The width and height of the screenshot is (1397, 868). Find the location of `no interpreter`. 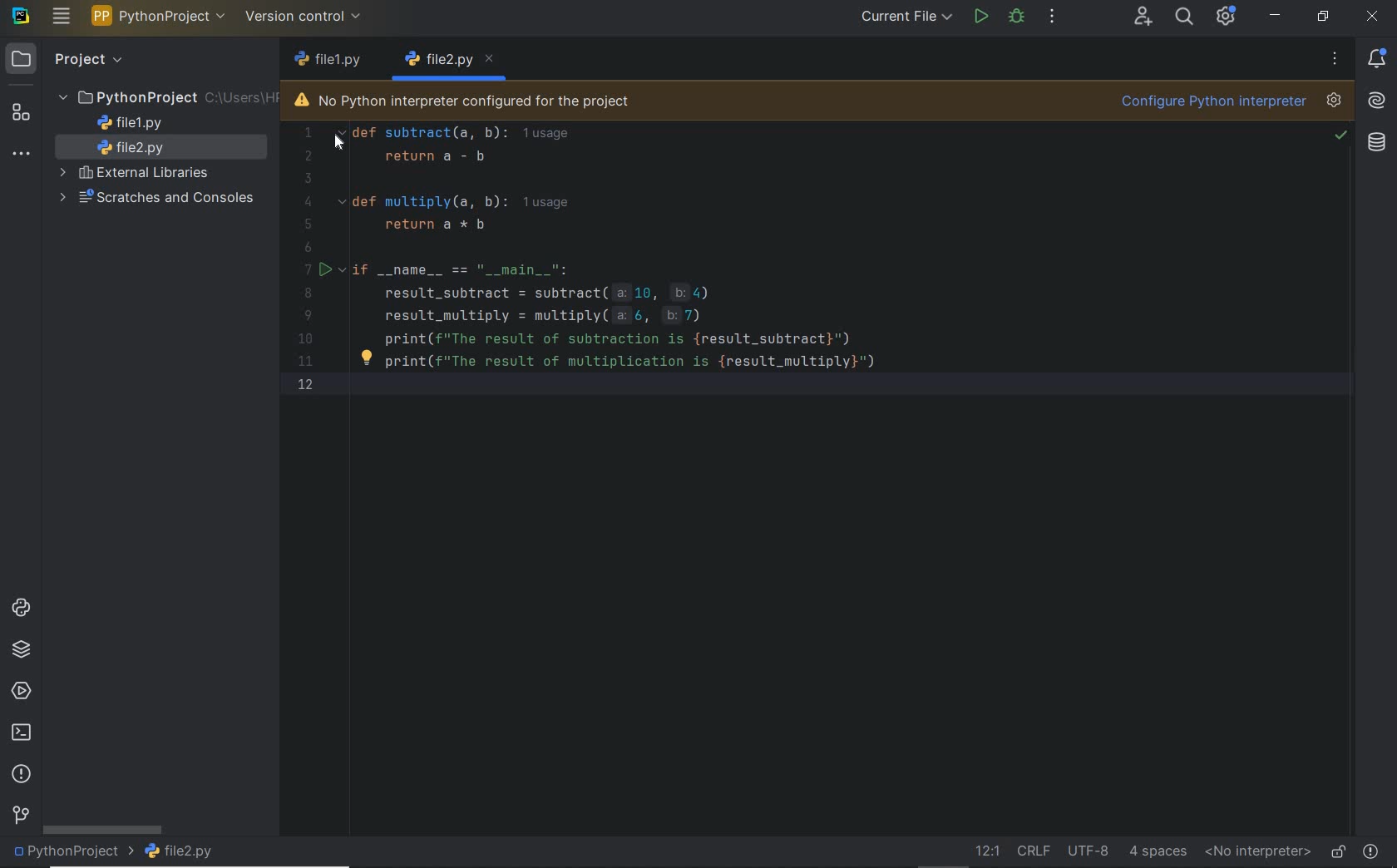

no interpreter is located at coordinates (1257, 852).